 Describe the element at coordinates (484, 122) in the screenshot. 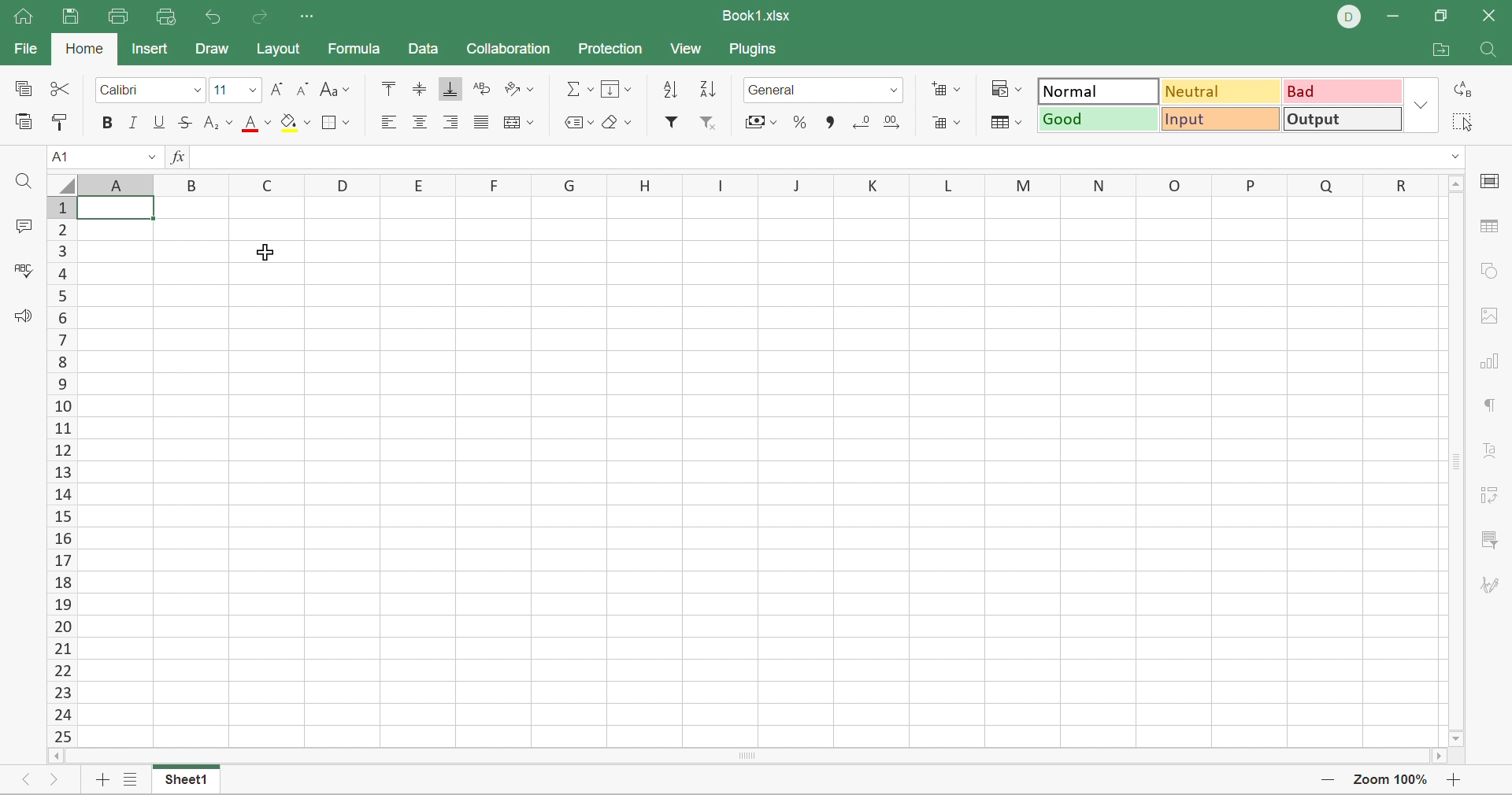

I see `Justified` at that location.